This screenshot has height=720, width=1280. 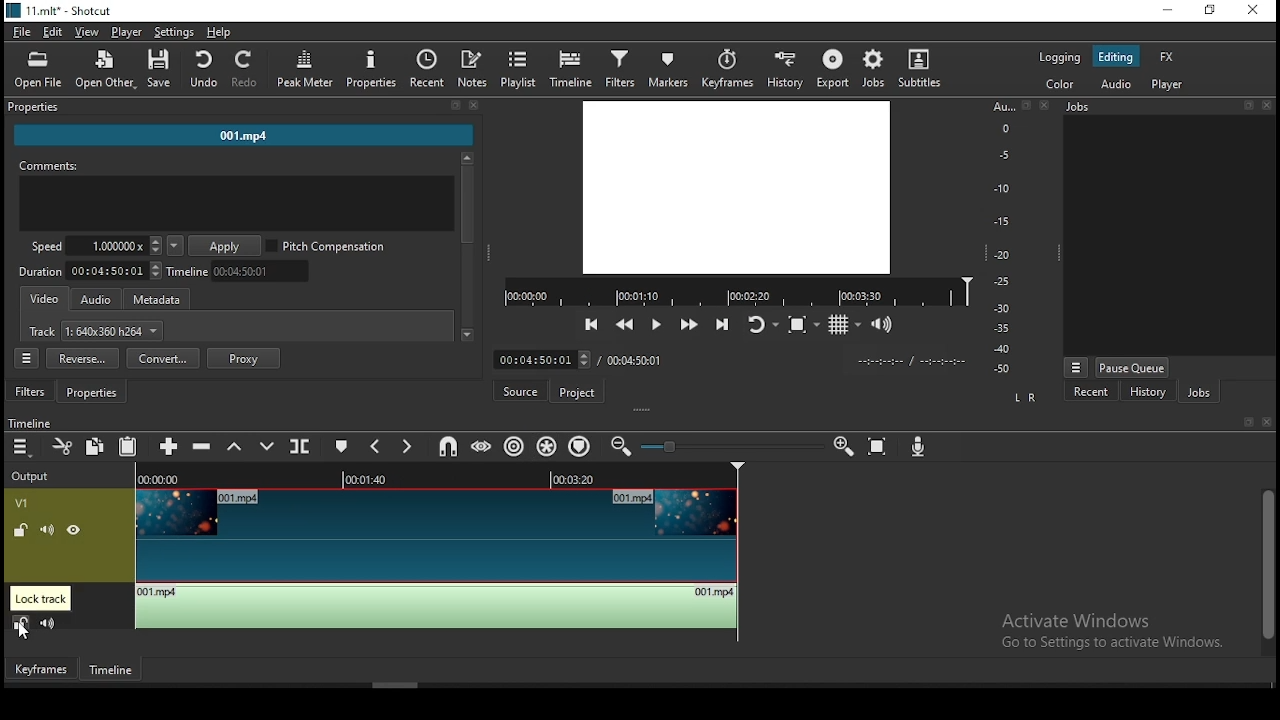 What do you see at coordinates (162, 357) in the screenshot?
I see `convert` at bounding box center [162, 357].